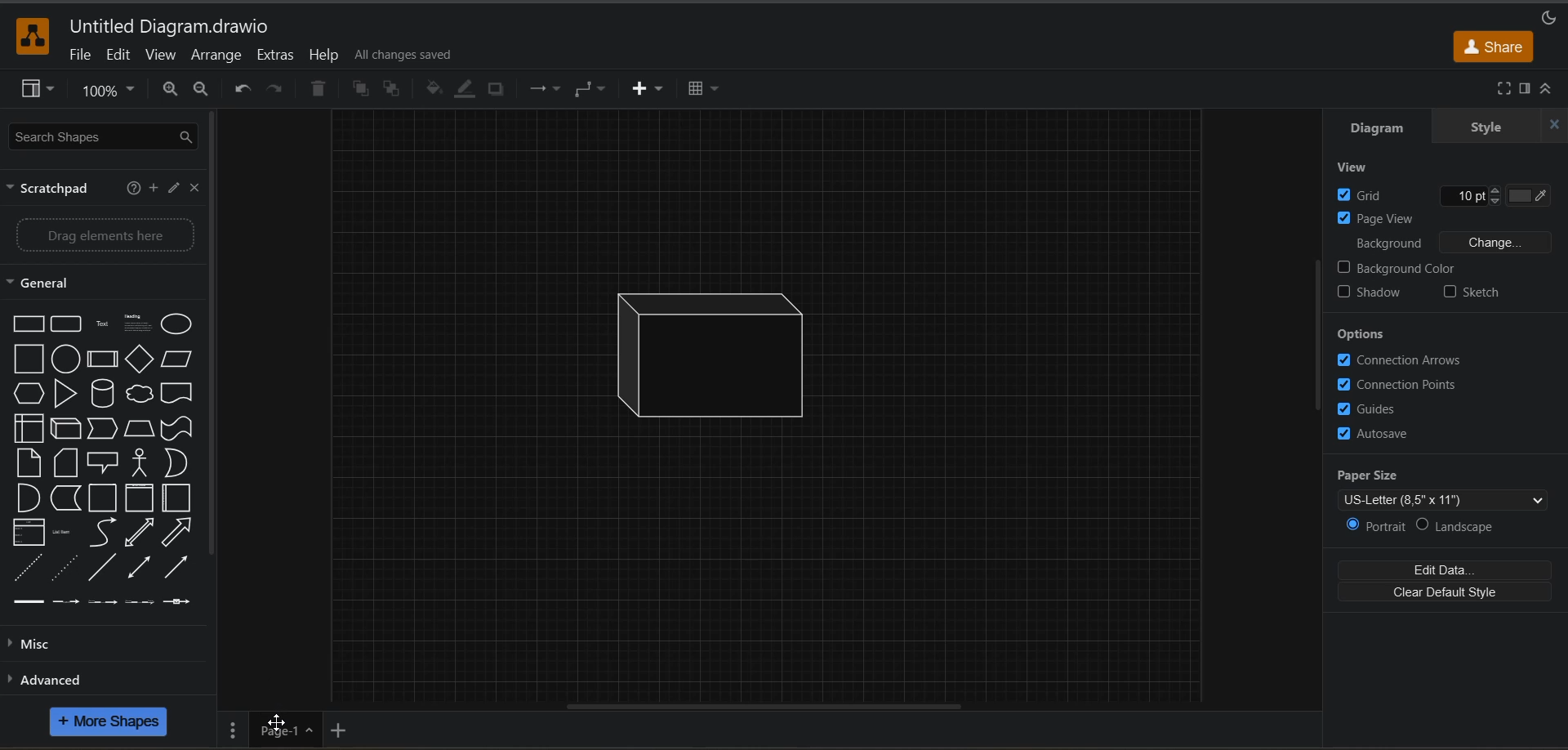 Image resolution: width=1568 pixels, height=750 pixels. Describe the element at coordinates (109, 721) in the screenshot. I see `more shapes` at that location.